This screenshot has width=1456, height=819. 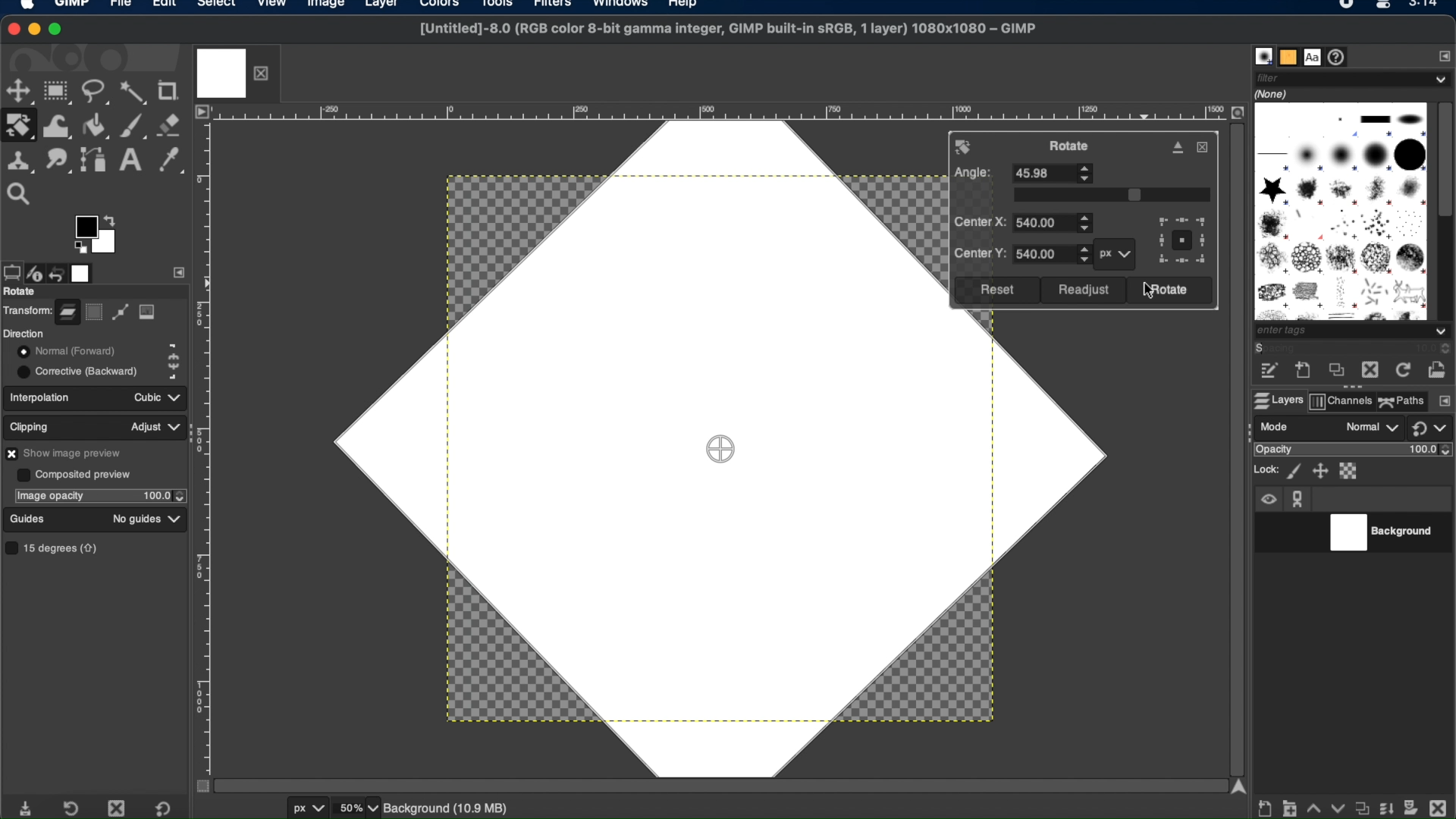 What do you see at coordinates (621, 6) in the screenshot?
I see `windows` at bounding box center [621, 6].